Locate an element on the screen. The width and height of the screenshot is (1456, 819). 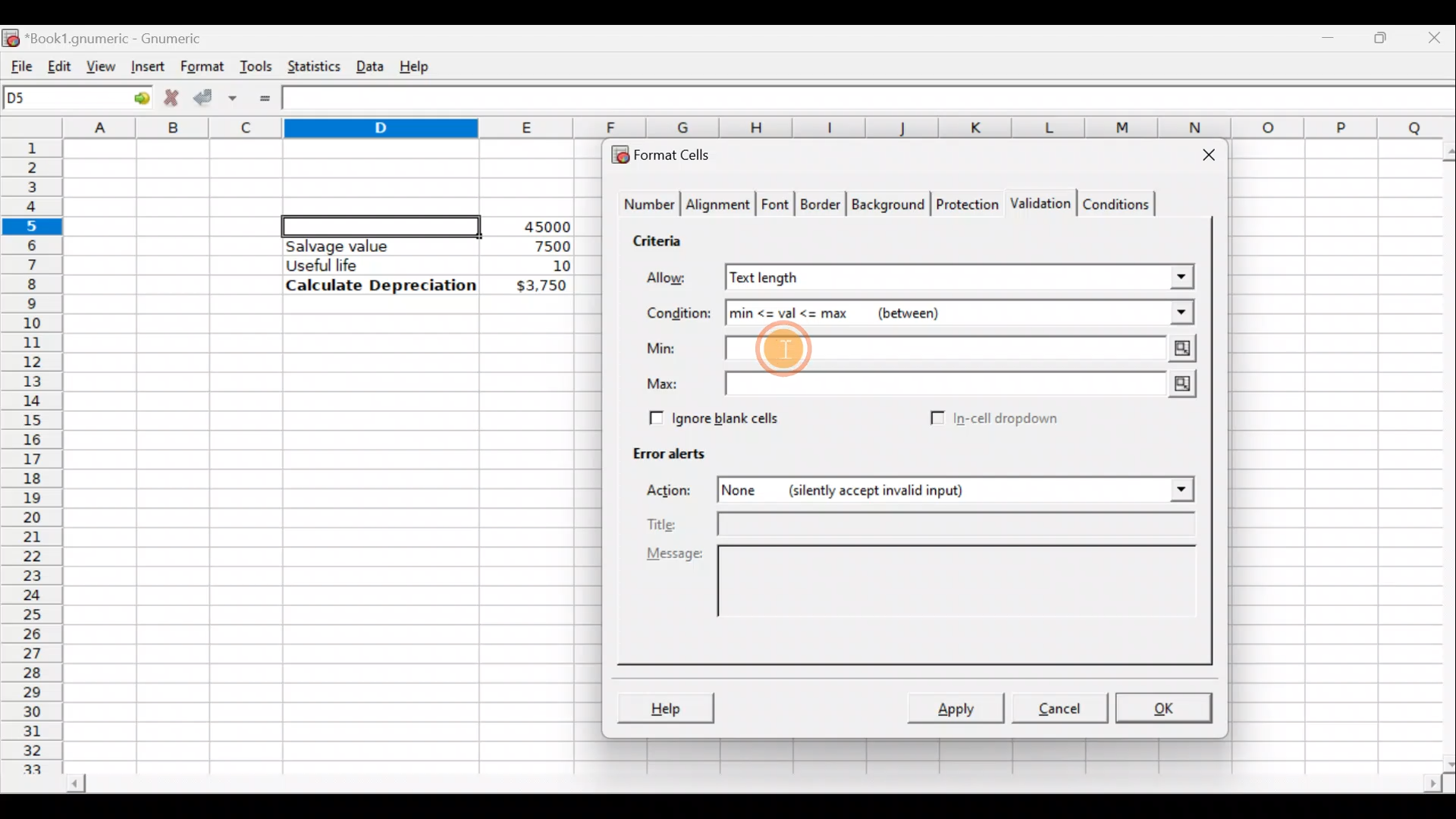
Go to is located at coordinates (136, 99).